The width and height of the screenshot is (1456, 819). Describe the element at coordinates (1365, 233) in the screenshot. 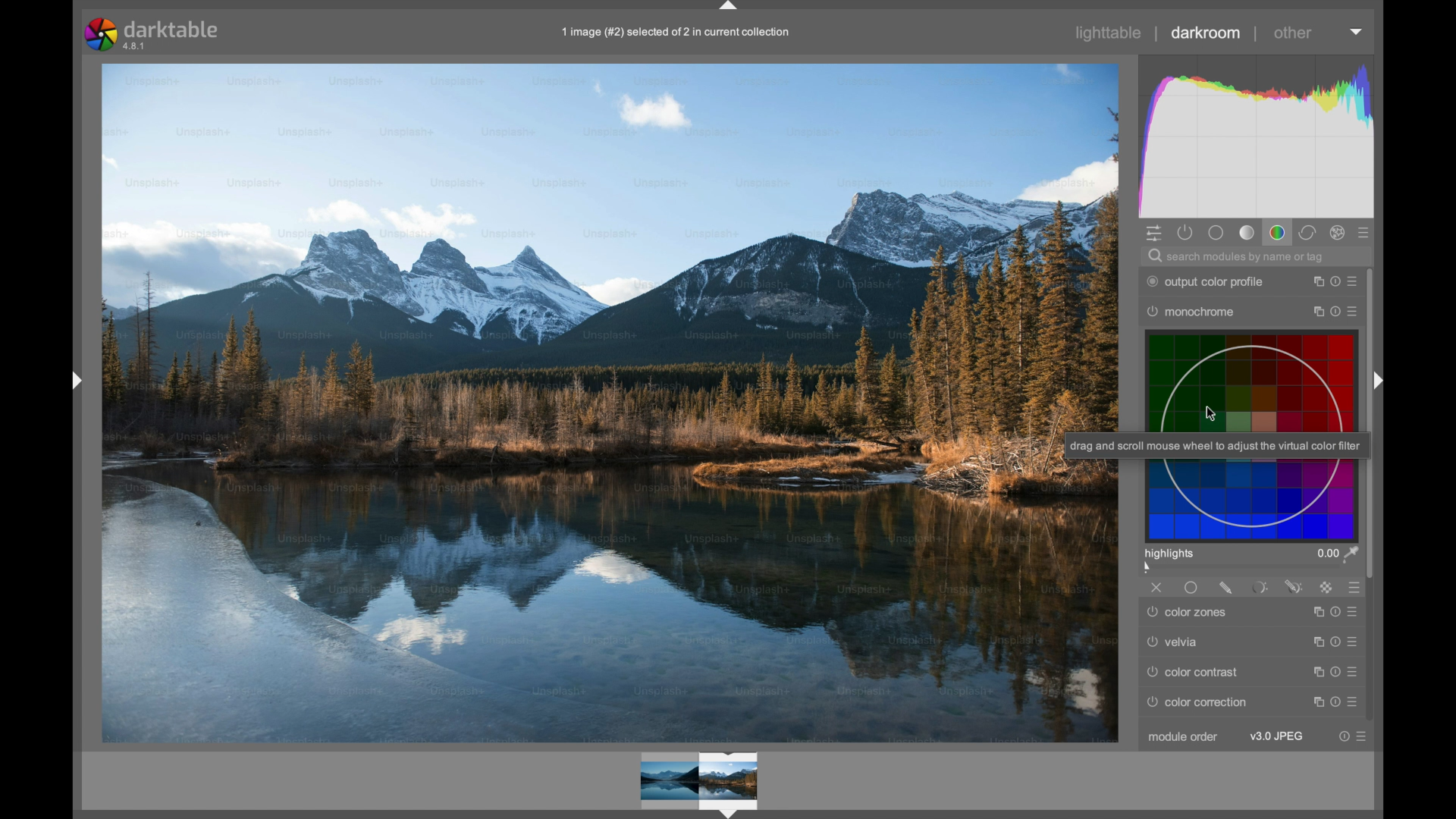

I see `presets` at that location.